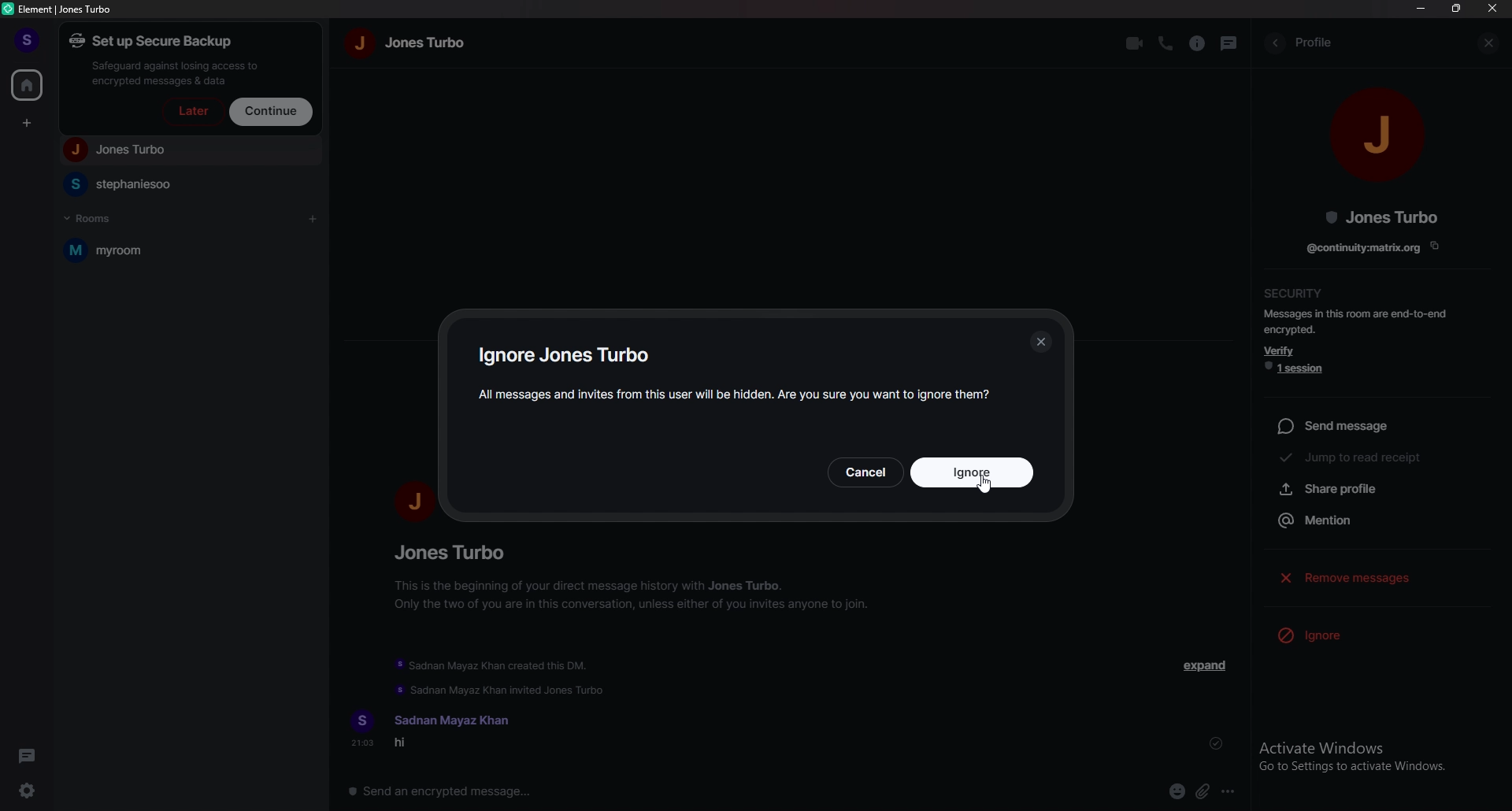 This screenshot has height=811, width=1512. I want to click on name, so click(449, 720).